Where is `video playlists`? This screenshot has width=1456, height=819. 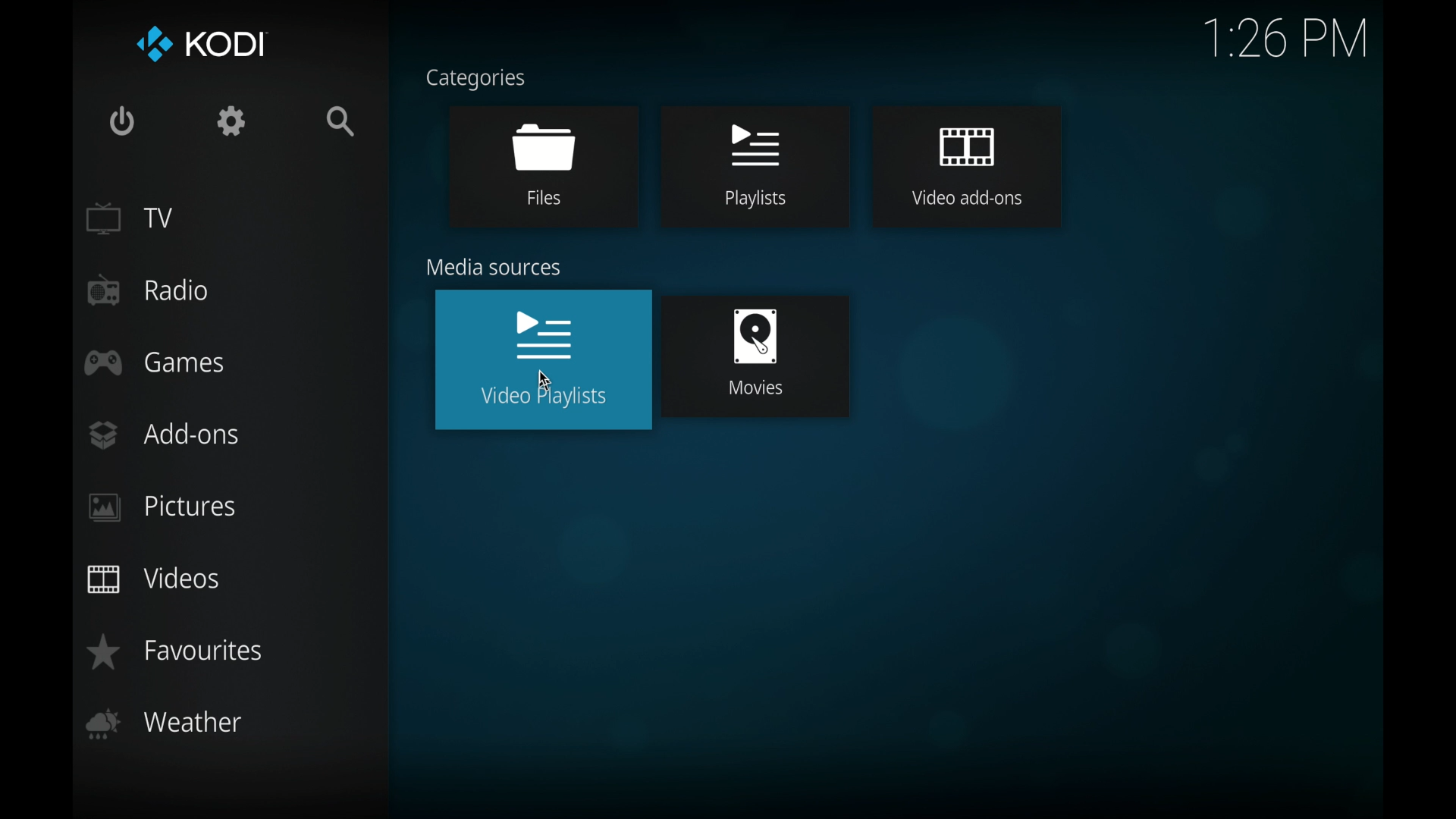
video playlists is located at coordinates (542, 357).